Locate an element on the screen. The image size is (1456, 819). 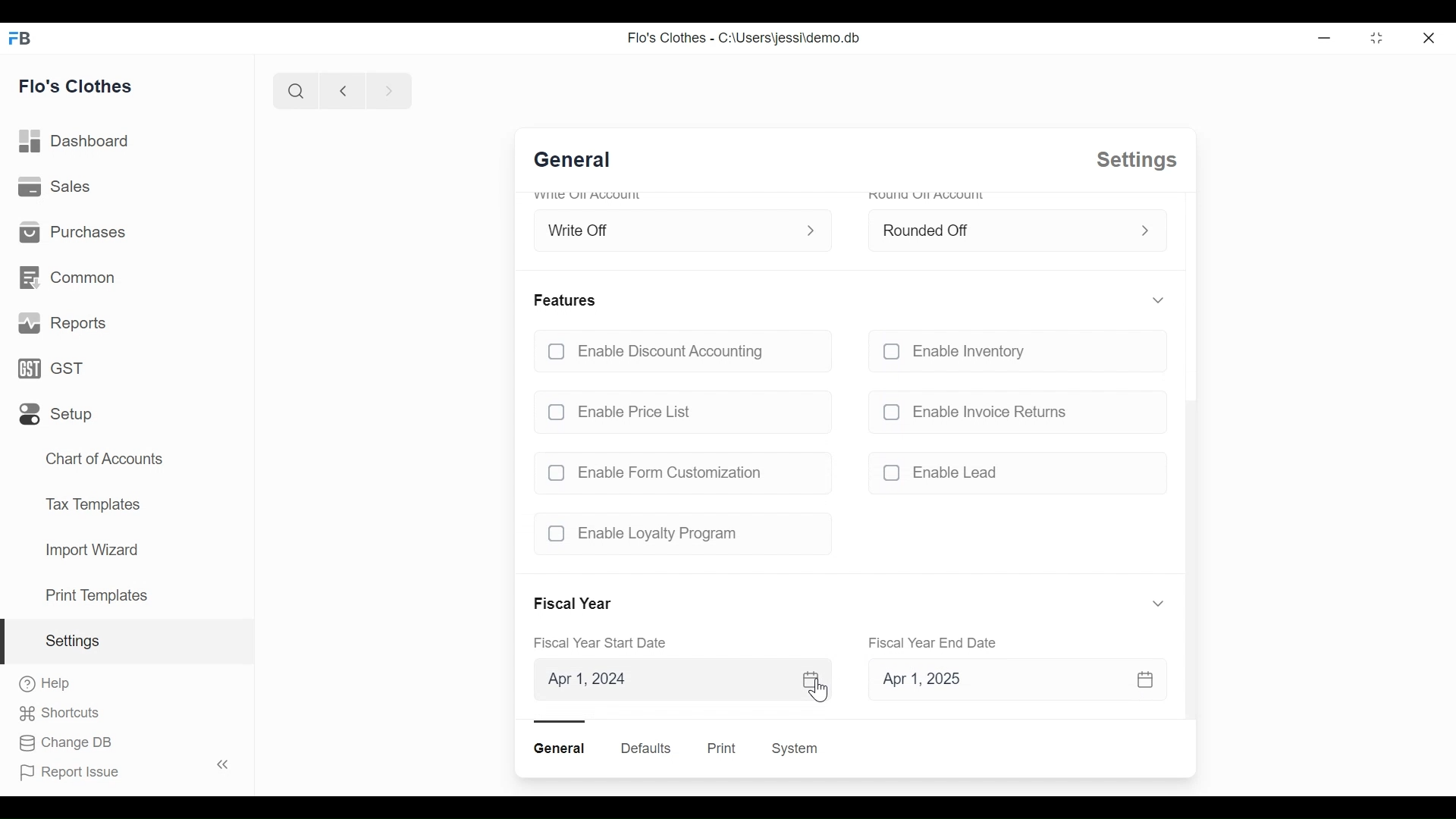
Search is located at coordinates (293, 91).